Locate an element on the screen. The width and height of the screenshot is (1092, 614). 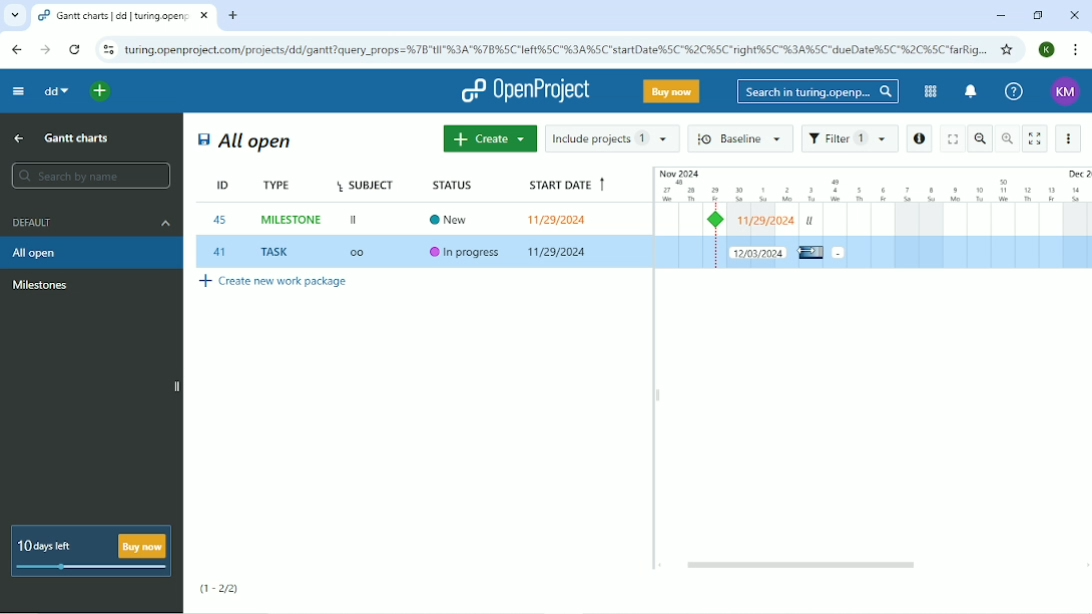
Search tabs is located at coordinates (15, 15).